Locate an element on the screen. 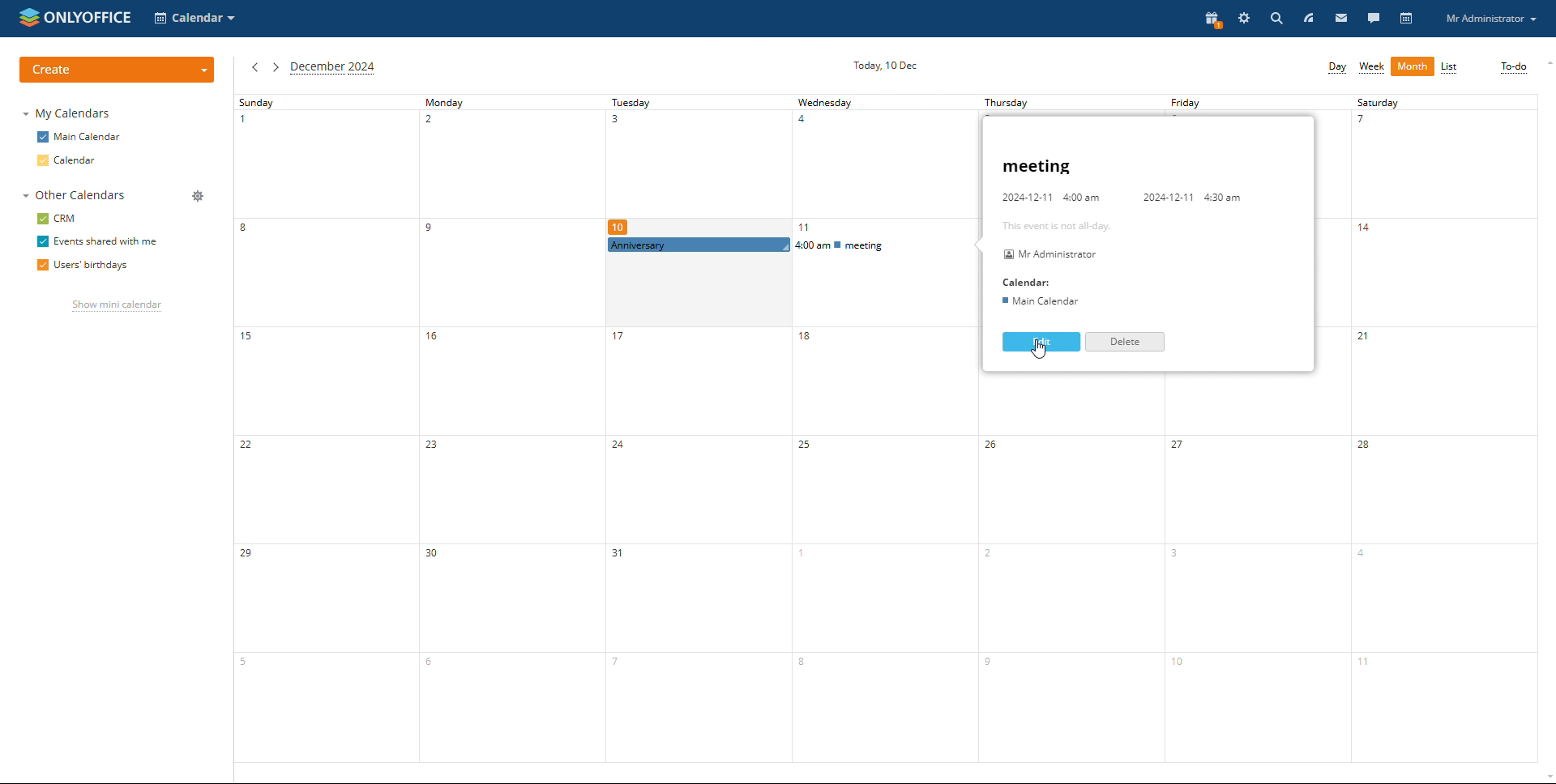 Image resolution: width=1556 pixels, height=784 pixels. calendar is located at coordinates (1406, 19).